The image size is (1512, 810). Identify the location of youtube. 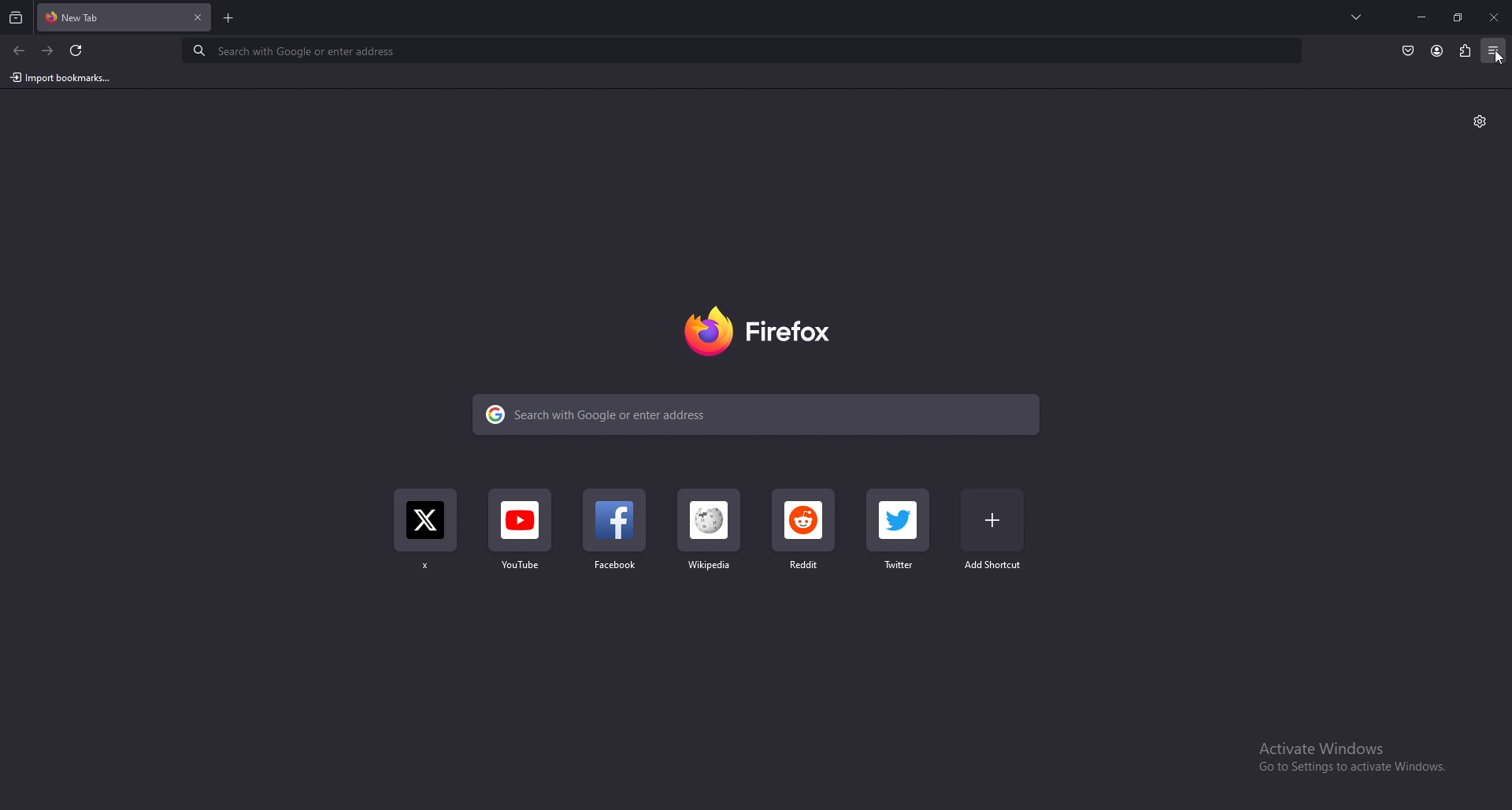
(522, 537).